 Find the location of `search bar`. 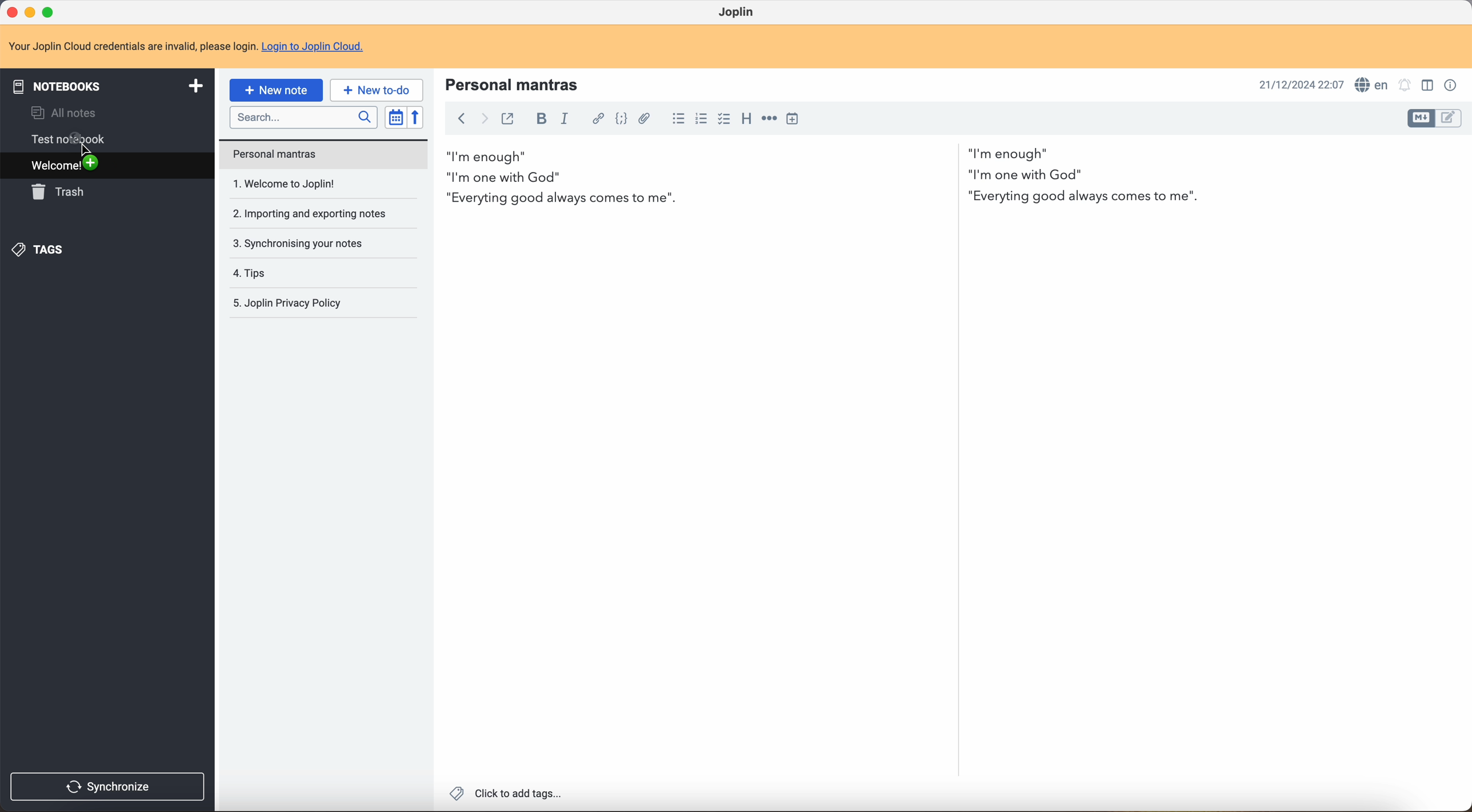

search bar is located at coordinates (303, 118).